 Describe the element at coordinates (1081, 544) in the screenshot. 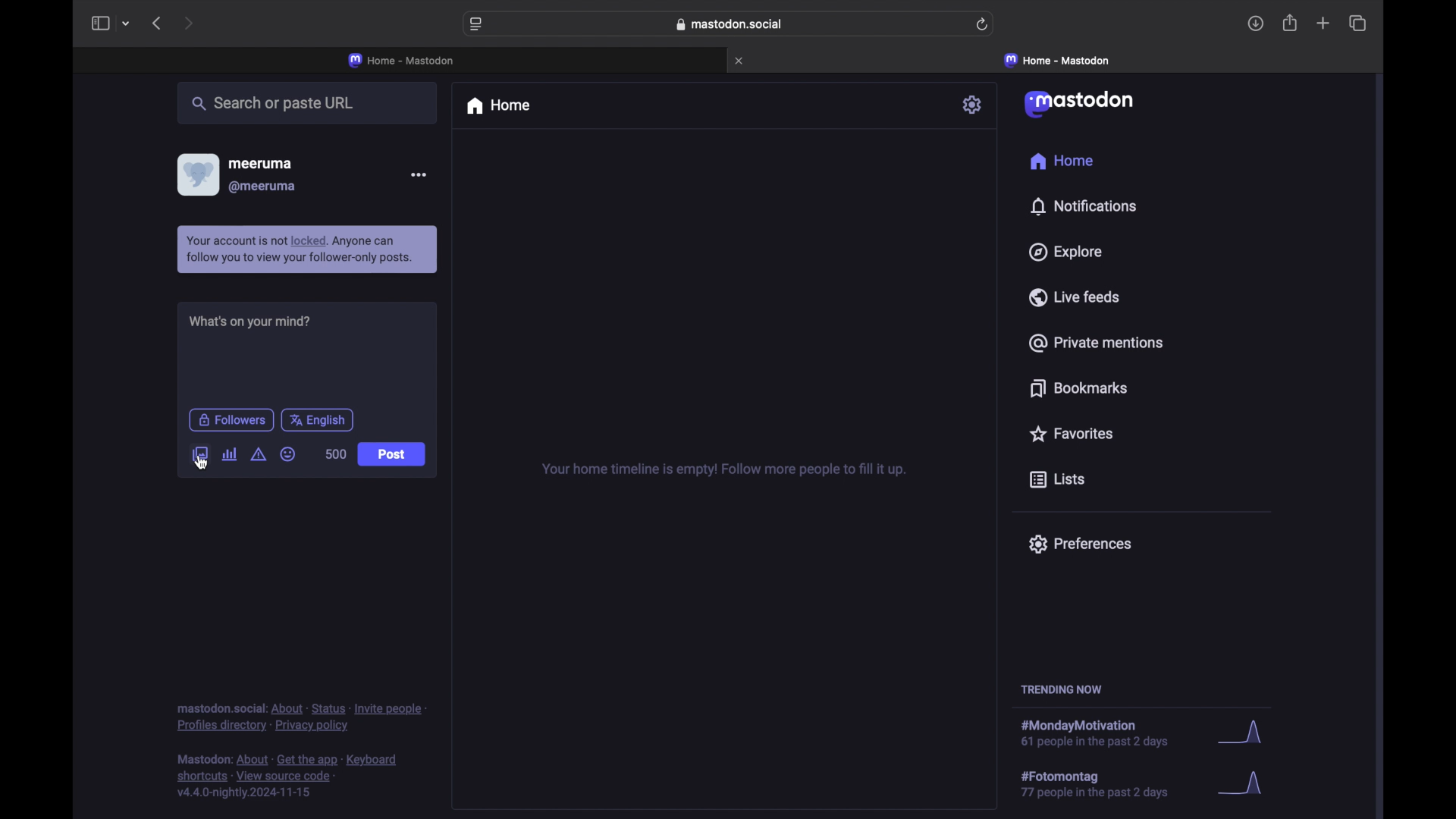

I see `preferences` at that location.